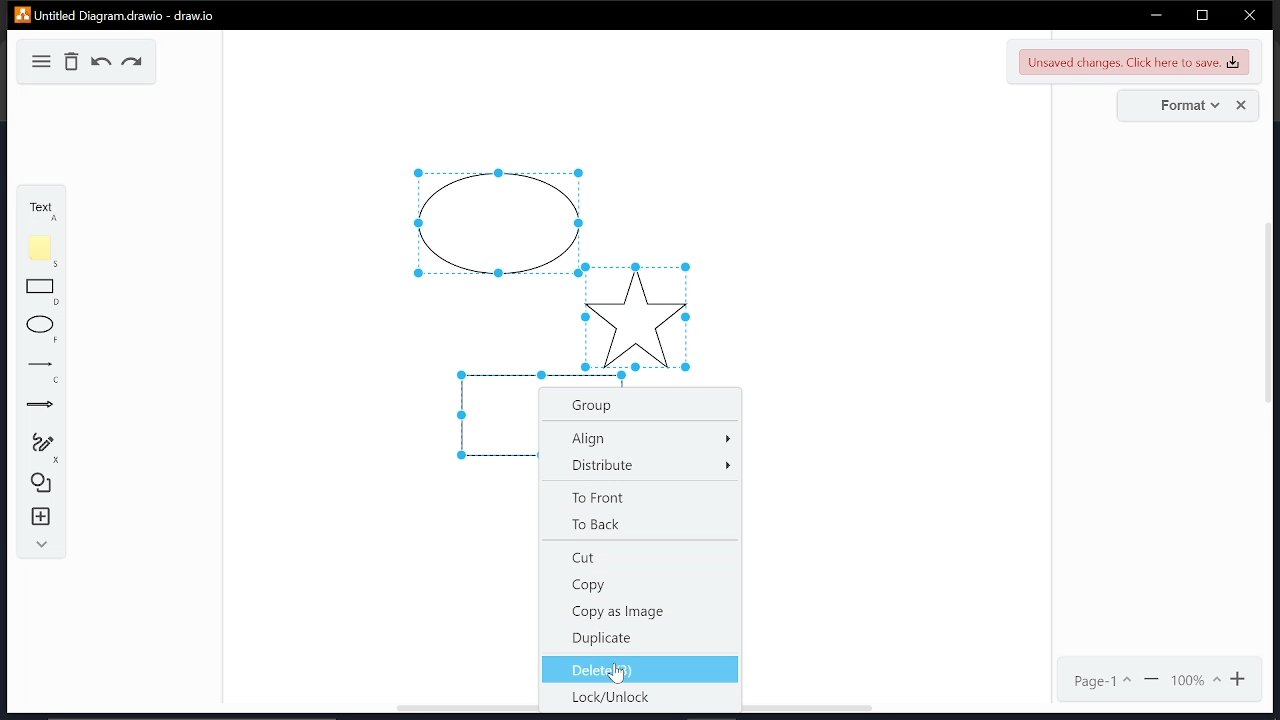 Image resolution: width=1280 pixels, height=720 pixels. I want to click on close, so click(1242, 106).